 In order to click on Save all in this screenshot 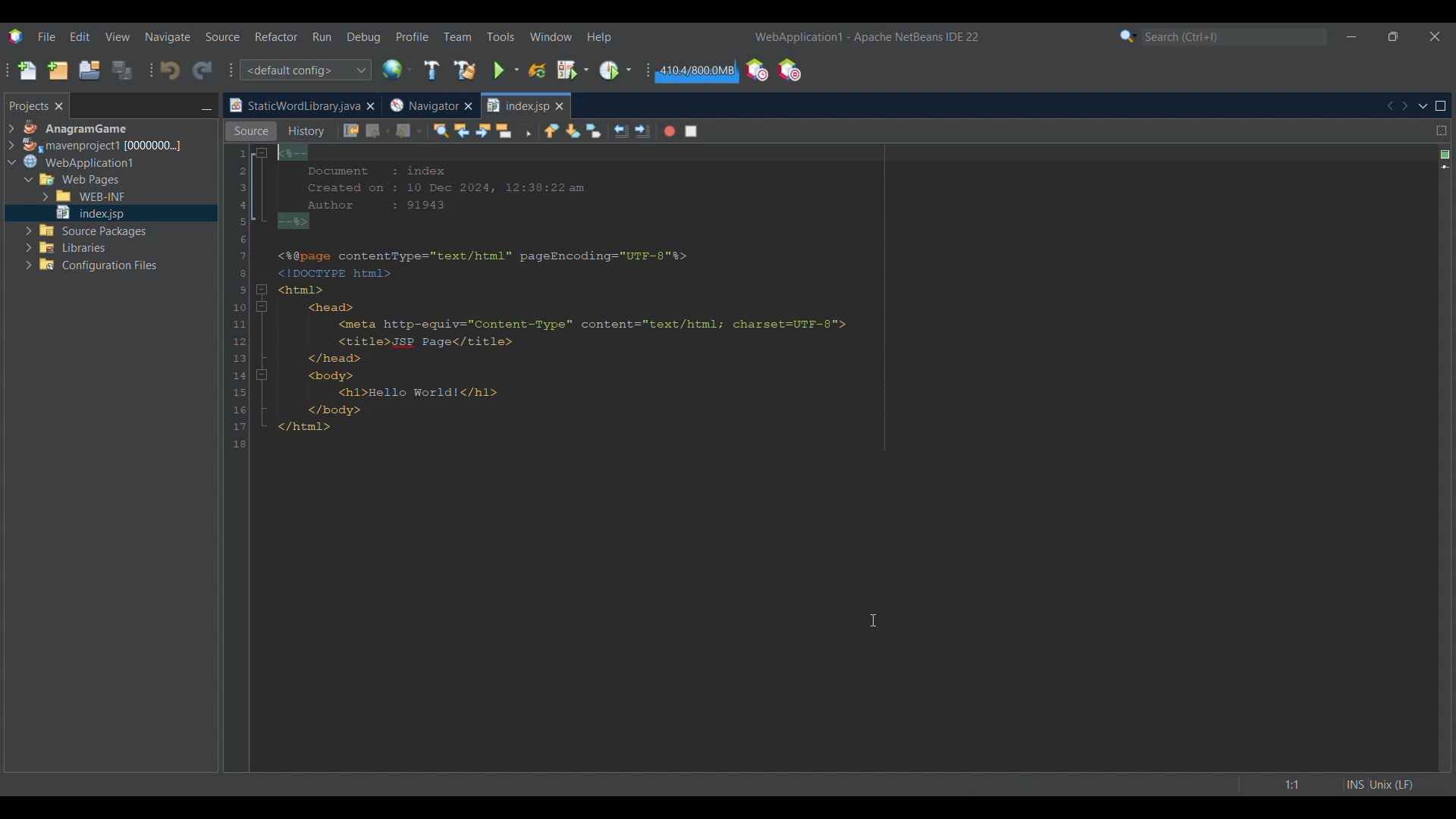, I will do `click(122, 70)`.